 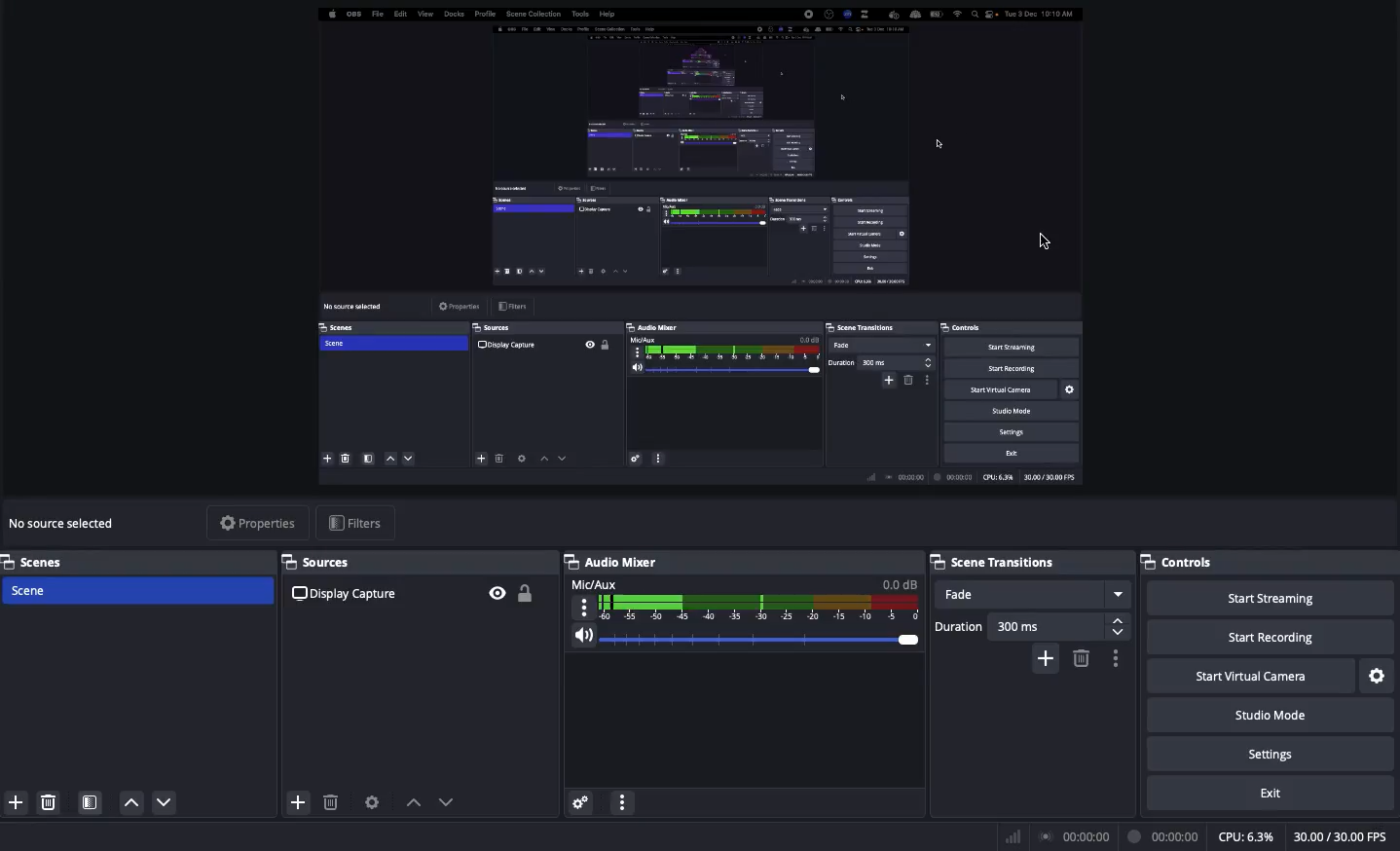 What do you see at coordinates (1273, 636) in the screenshot?
I see `Start recording` at bounding box center [1273, 636].